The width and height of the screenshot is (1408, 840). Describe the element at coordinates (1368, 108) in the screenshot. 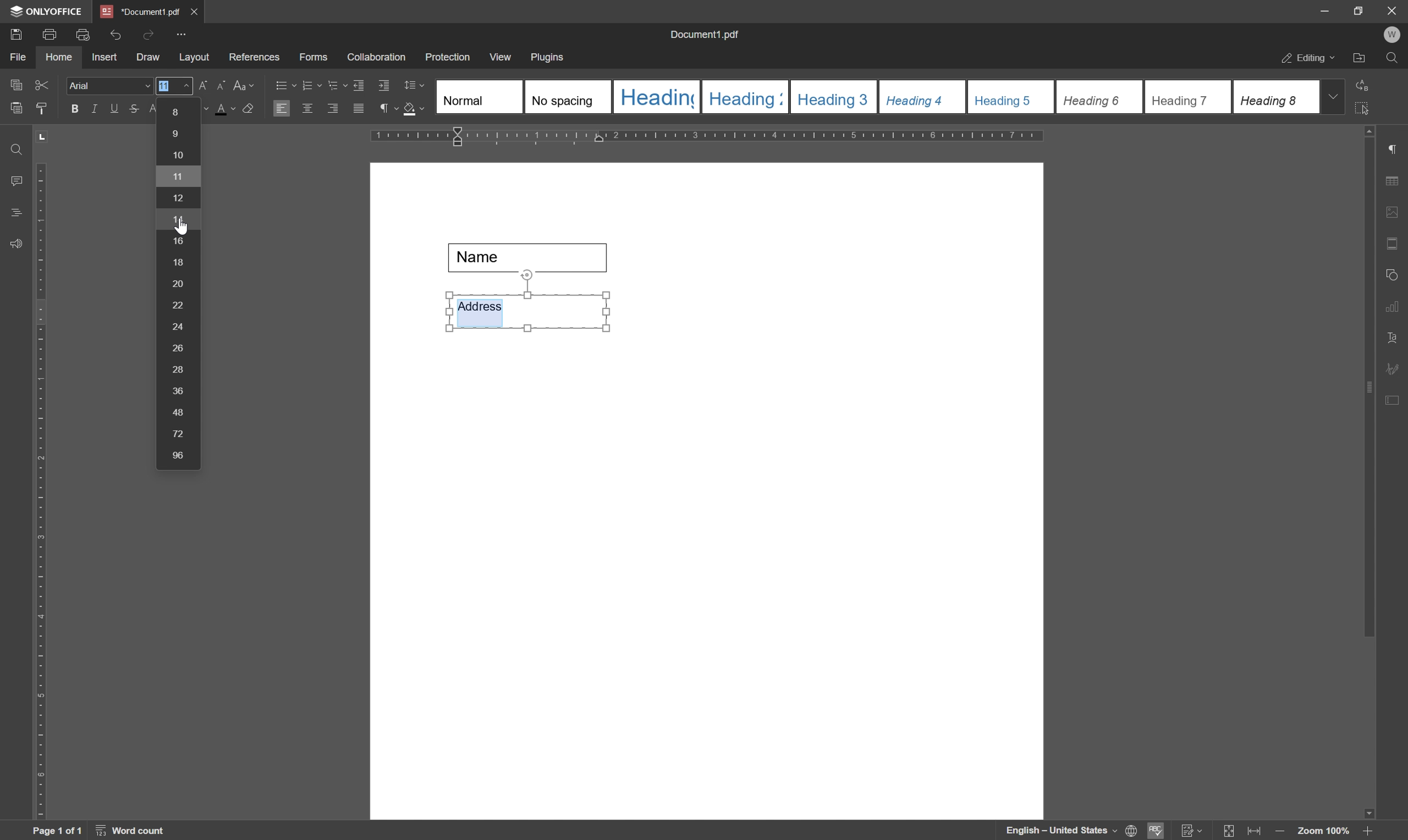

I see `select all` at that location.